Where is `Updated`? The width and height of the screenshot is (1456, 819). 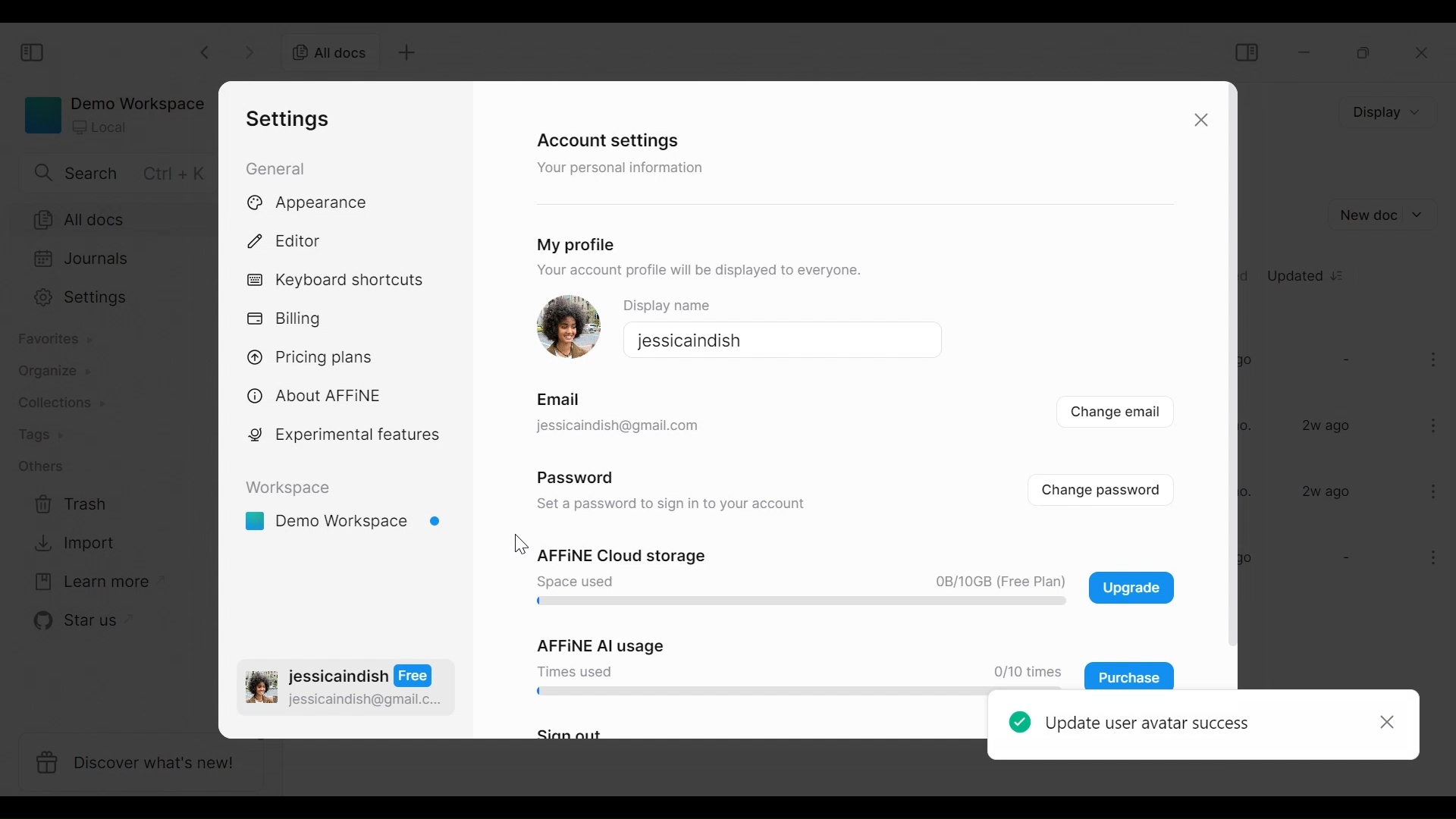
Updated is located at coordinates (1307, 274).